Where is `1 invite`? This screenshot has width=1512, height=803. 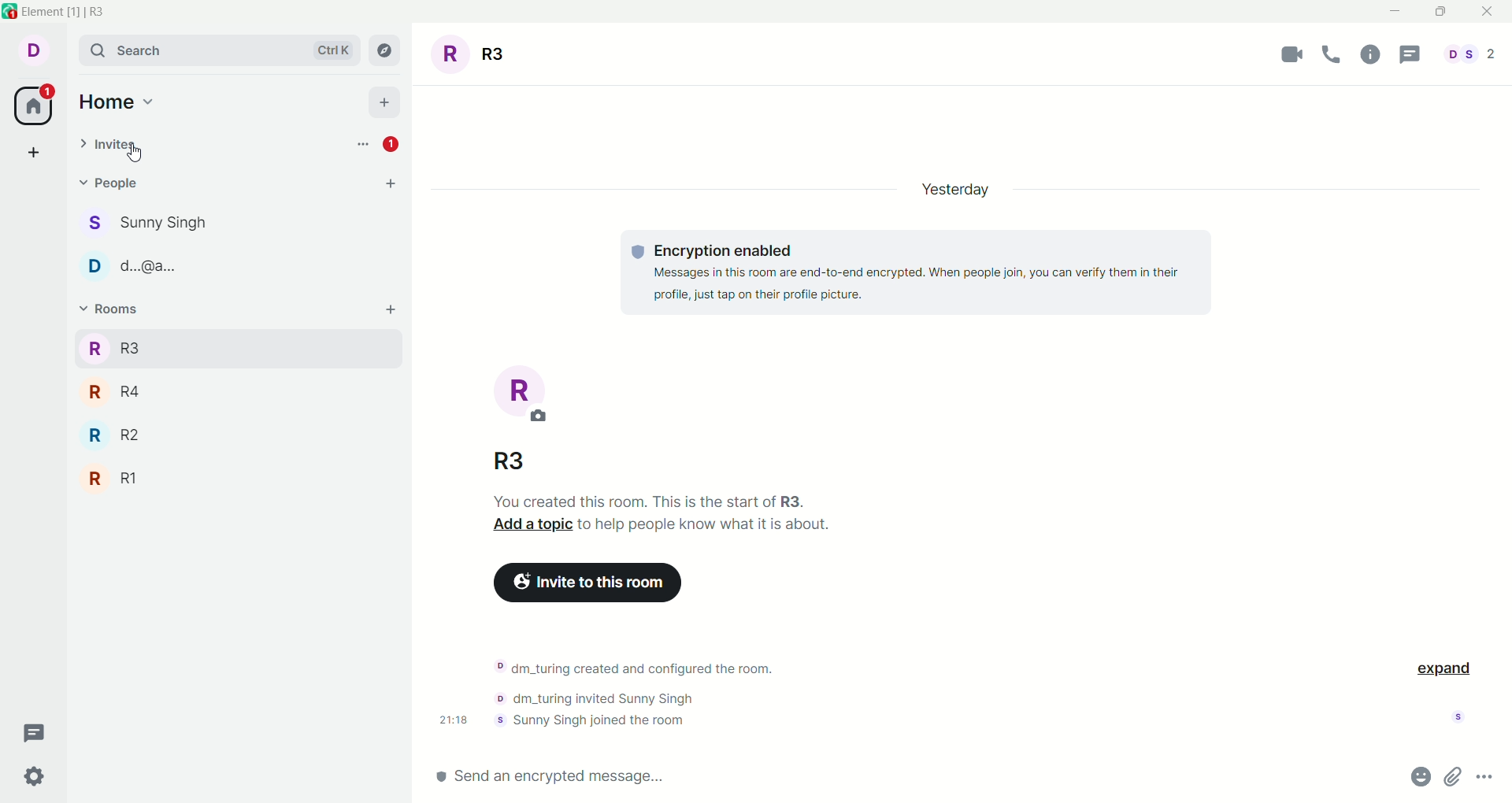
1 invite is located at coordinates (396, 145).